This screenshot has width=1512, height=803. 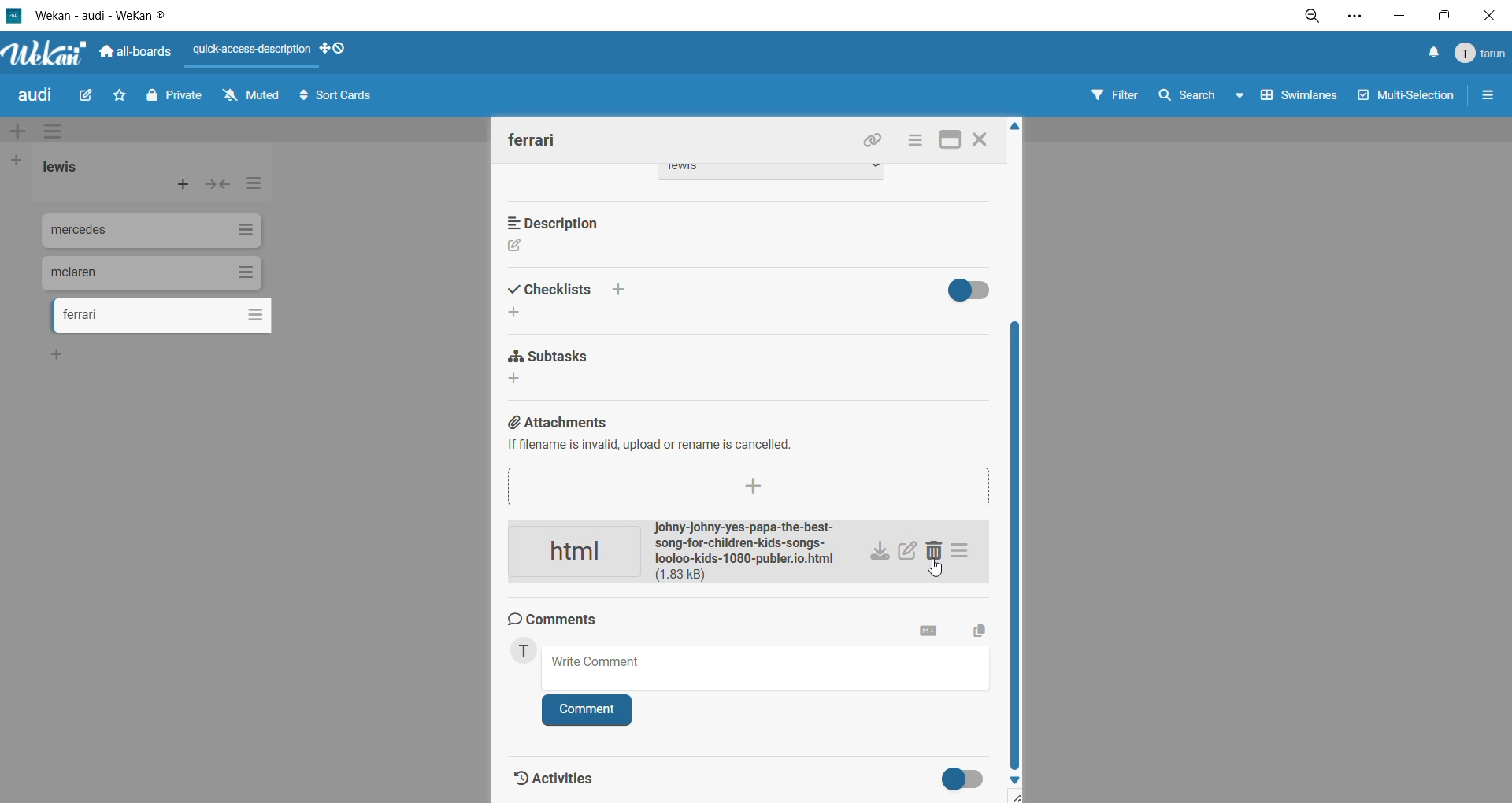 I want to click on app logo, so click(x=43, y=50).